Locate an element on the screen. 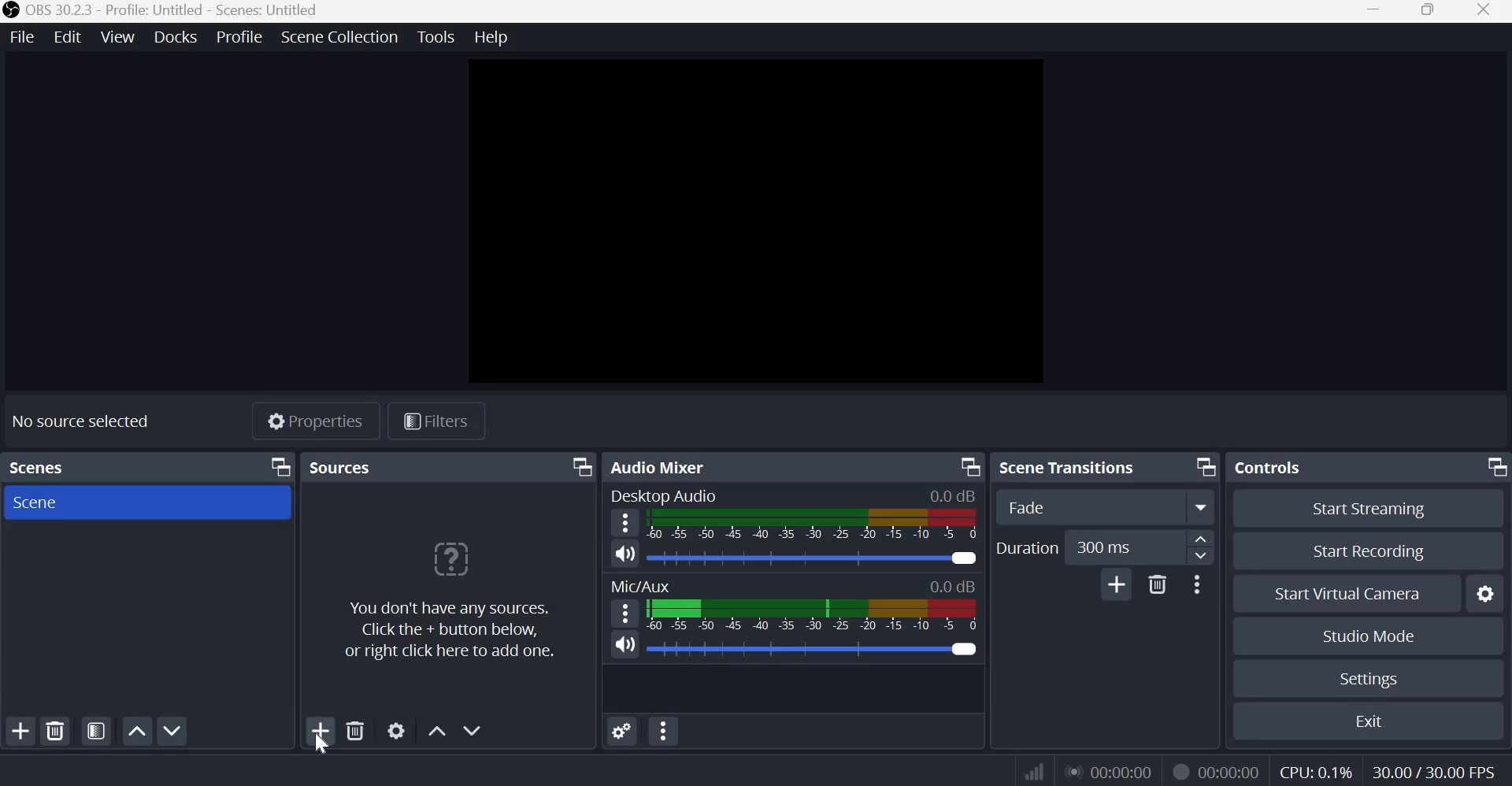 This screenshot has width=1512, height=786. Edit is located at coordinates (69, 37).